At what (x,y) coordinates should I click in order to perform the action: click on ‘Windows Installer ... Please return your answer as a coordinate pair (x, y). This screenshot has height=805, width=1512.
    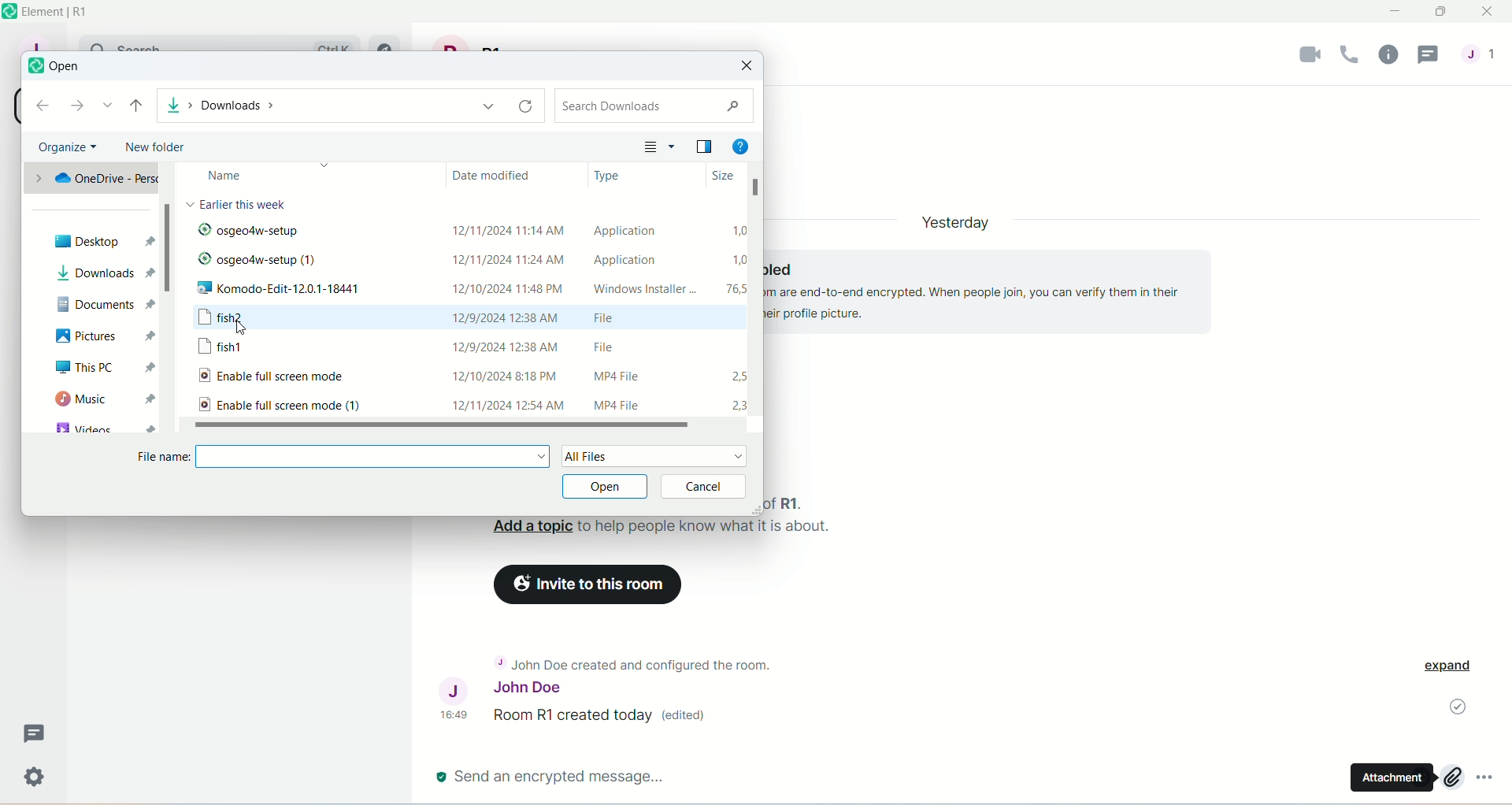
    Looking at the image, I should click on (639, 290).